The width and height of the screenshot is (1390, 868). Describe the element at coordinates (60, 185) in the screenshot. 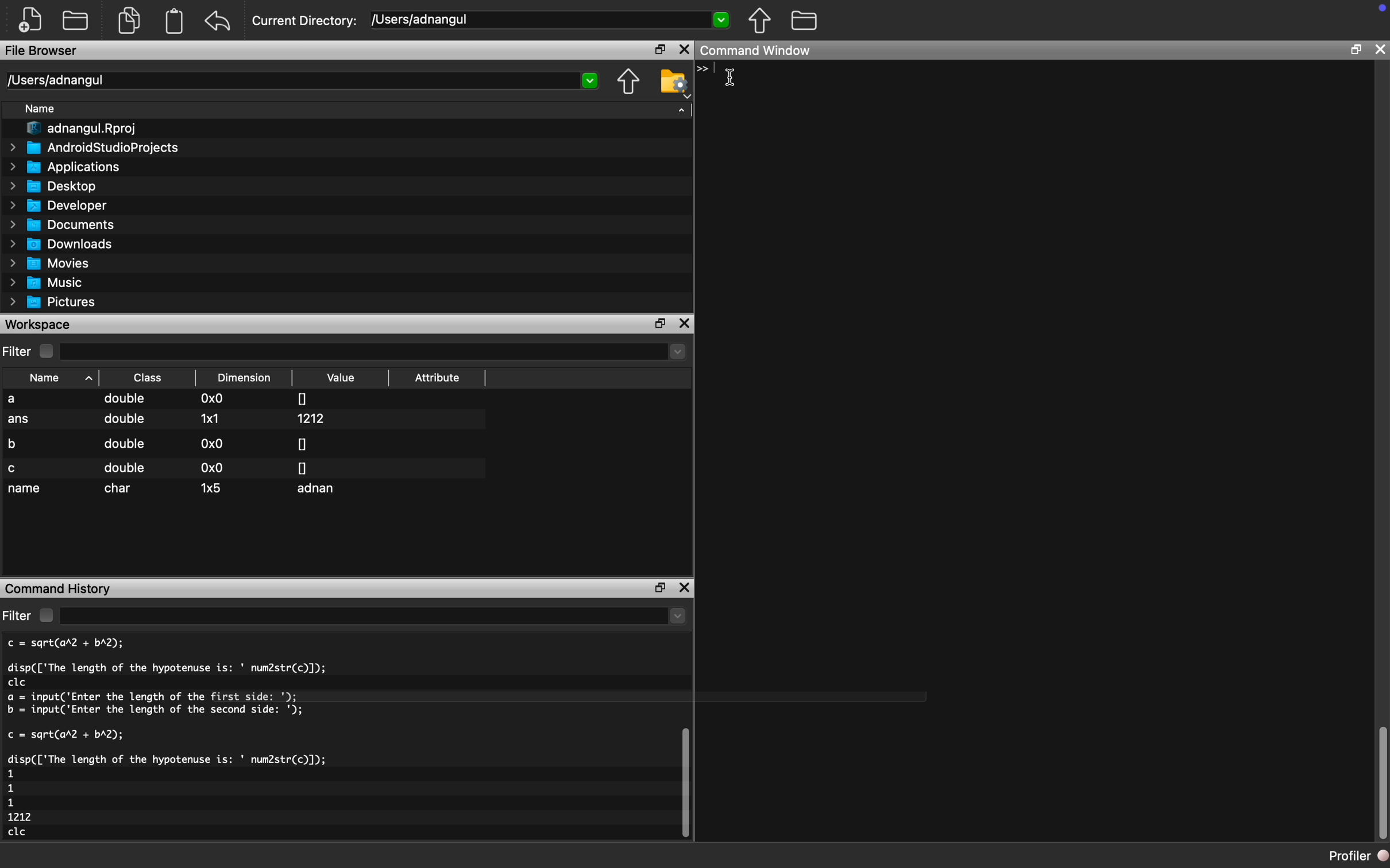

I see ` Desktop` at that location.